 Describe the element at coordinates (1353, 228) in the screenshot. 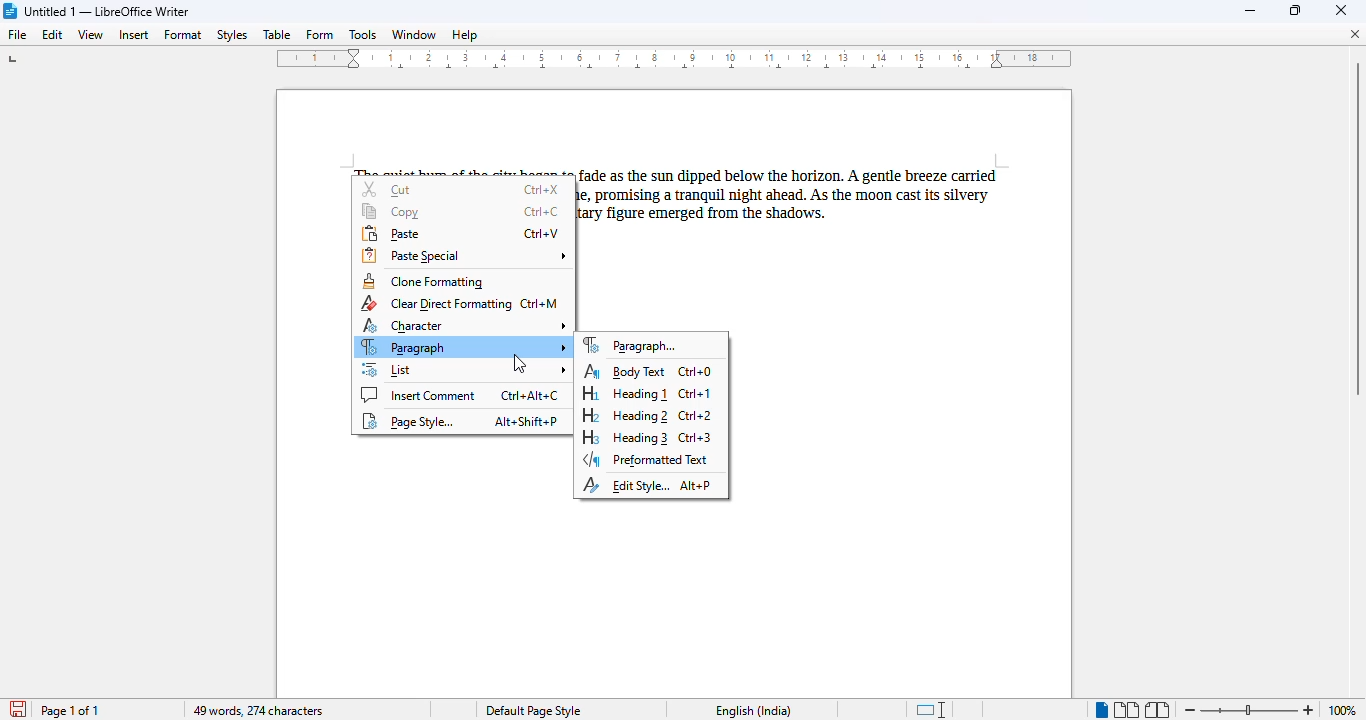

I see `vertical scroll bar` at that location.